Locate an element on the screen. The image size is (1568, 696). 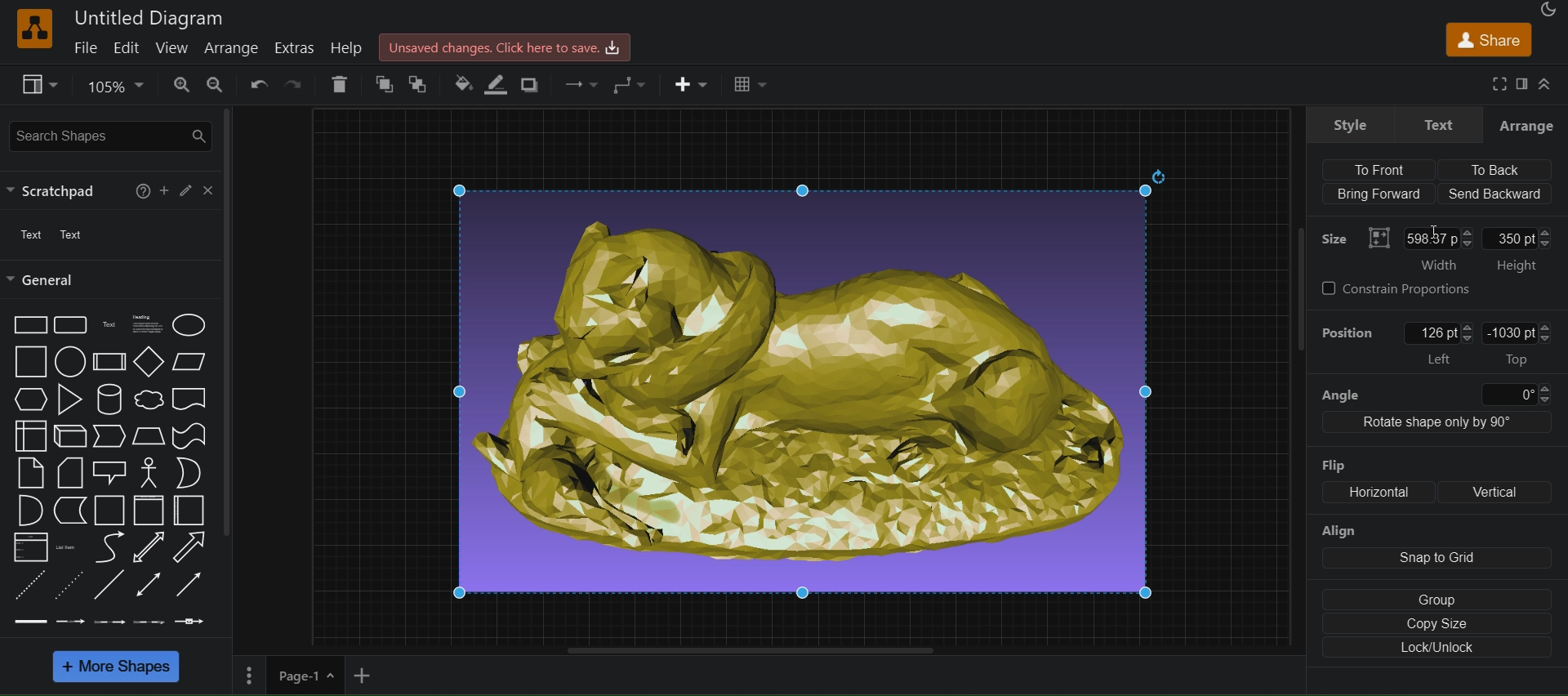
view is located at coordinates (40, 84).